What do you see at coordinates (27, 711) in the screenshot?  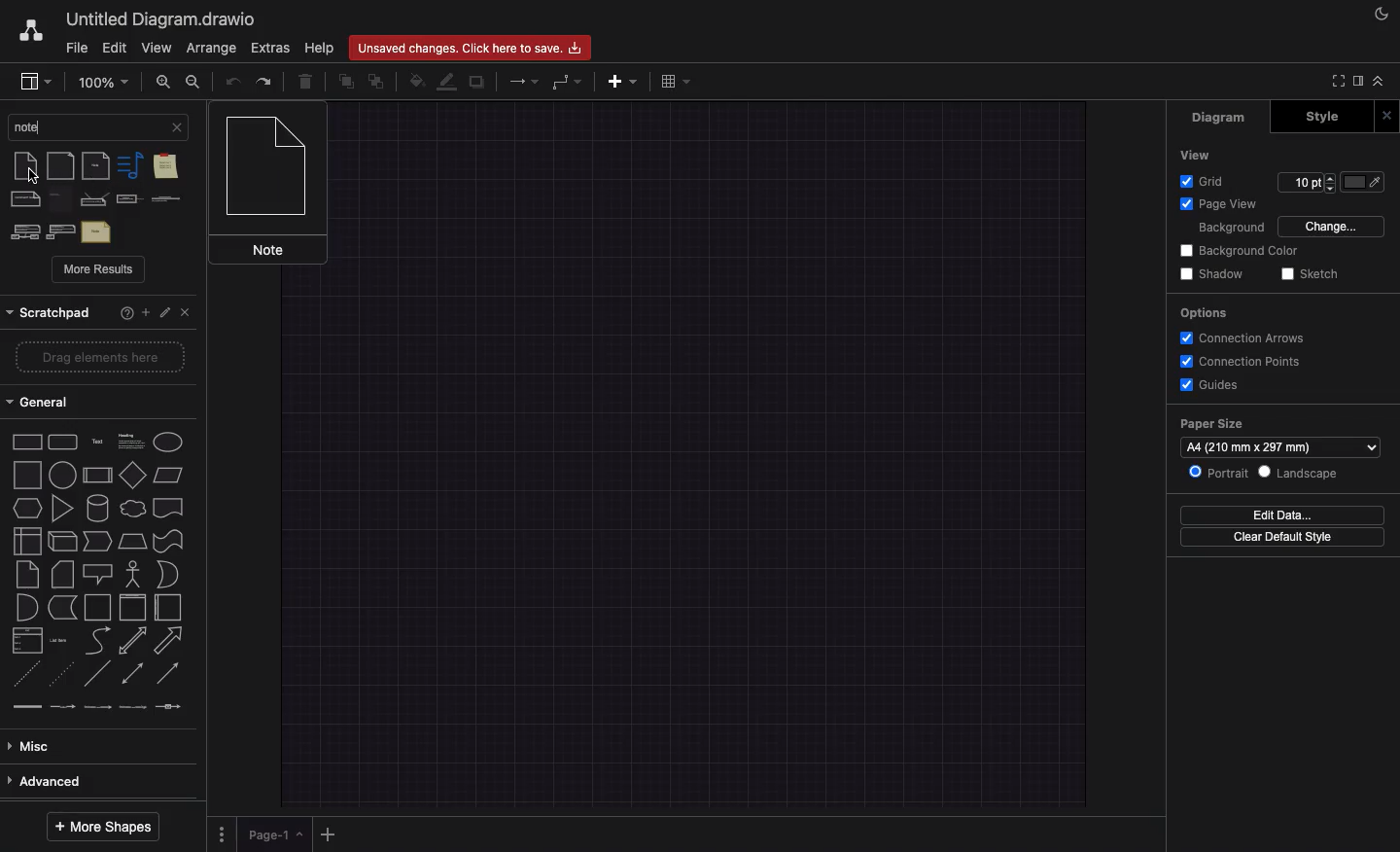 I see `link` at bounding box center [27, 711].